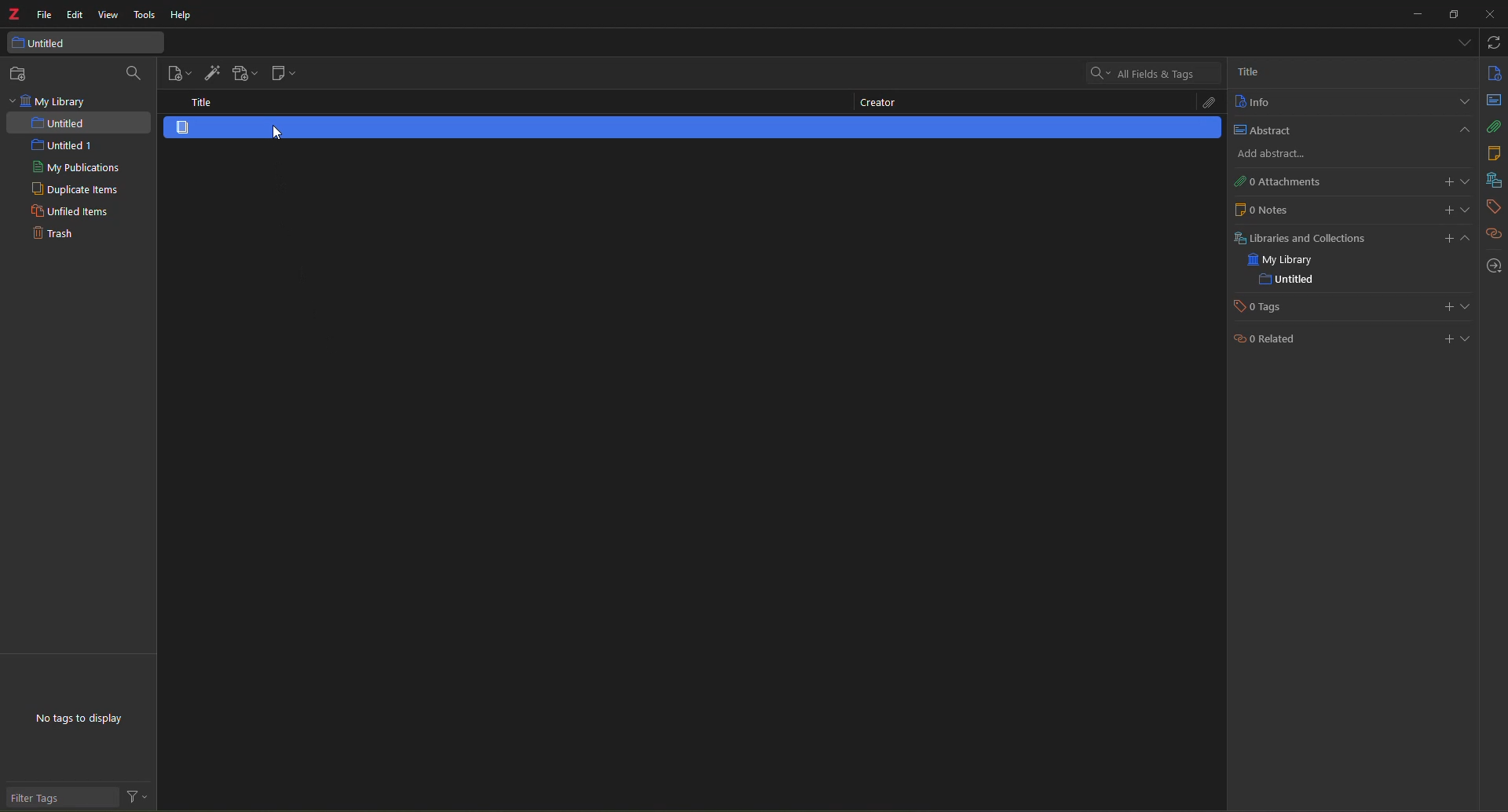 This screenshot has width=1508, height=812. Describe the element at coordinates (1265, 342) in the screenshot. I see `related` at that location.